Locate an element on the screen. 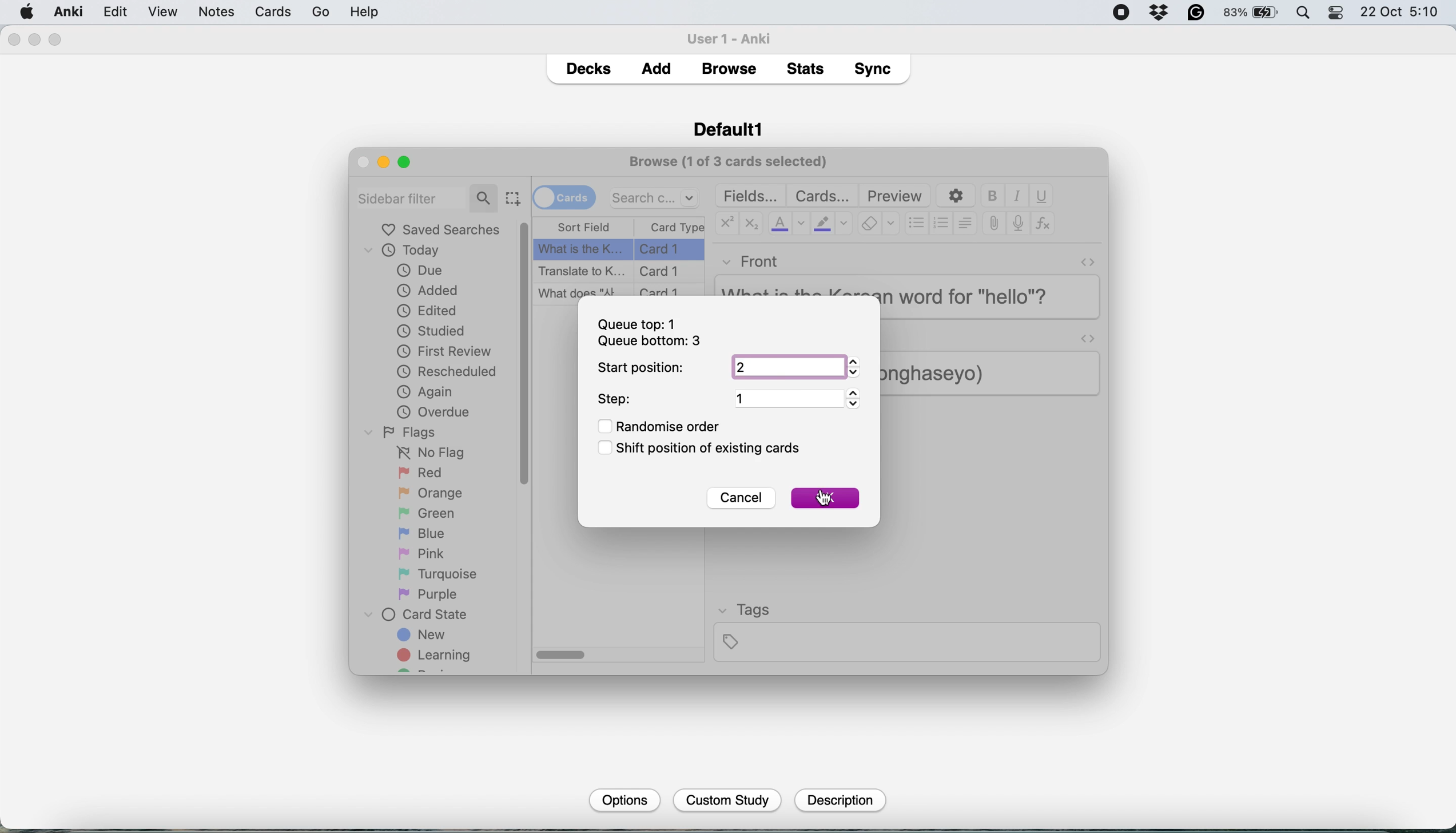  anki is located at coordinates (70, 11).